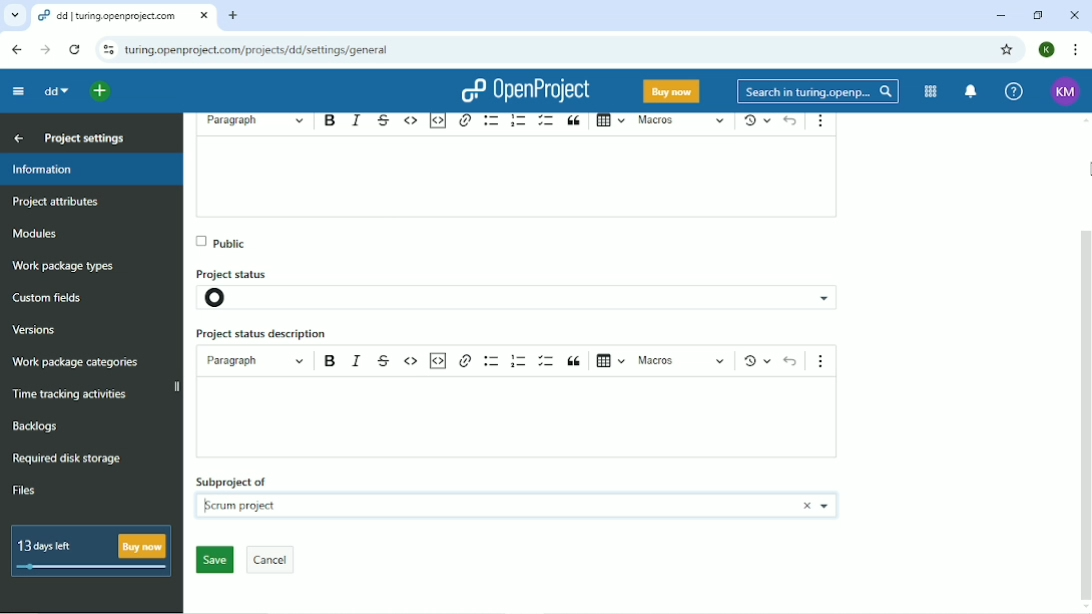  What do you see at coordinates (1081, 362) in the screenshot?
I see `Vertical scrollbar` at bounding box center [1081, 362].